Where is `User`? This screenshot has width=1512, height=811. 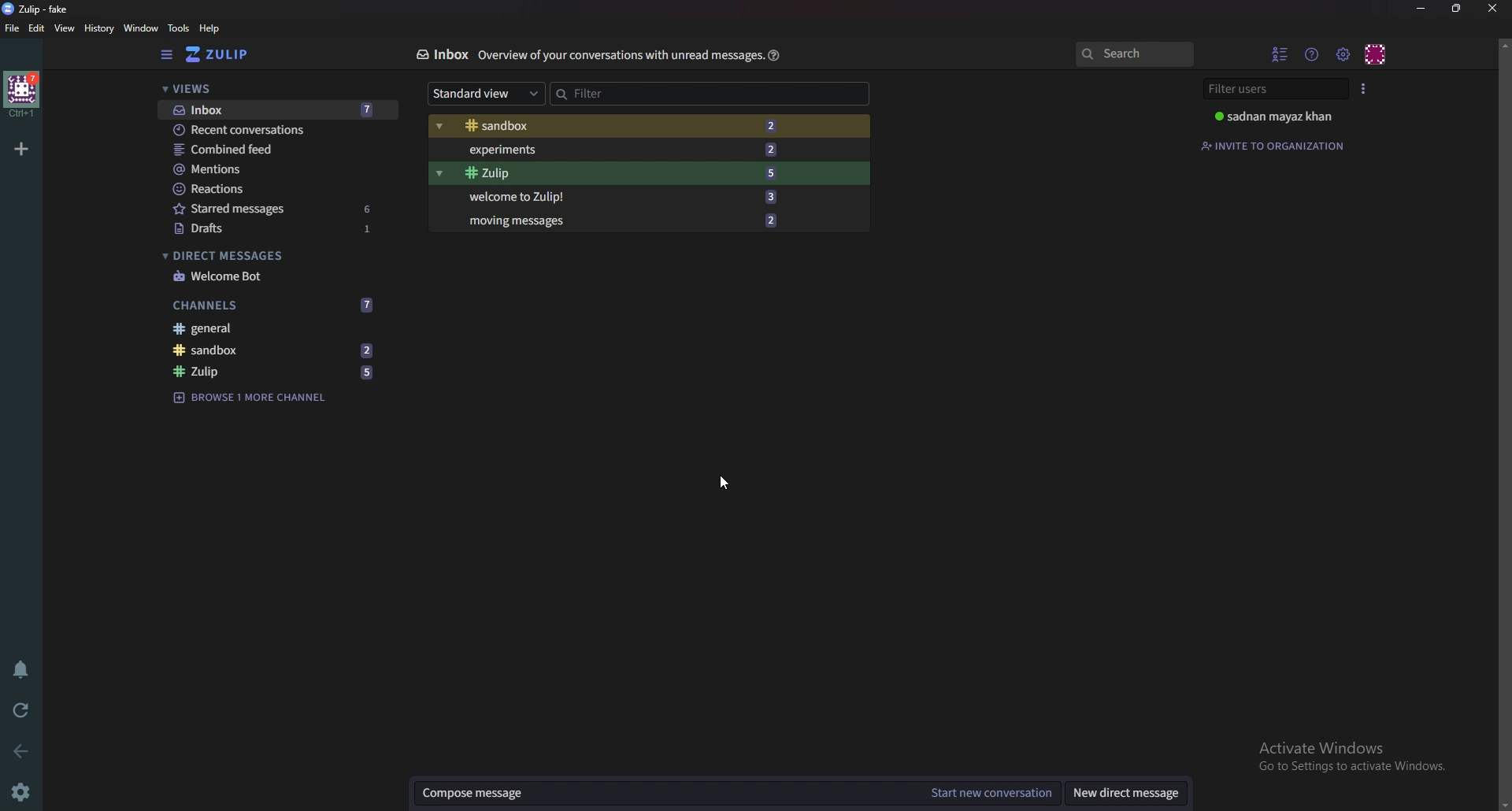
User is located at coordinates (1284, 116).